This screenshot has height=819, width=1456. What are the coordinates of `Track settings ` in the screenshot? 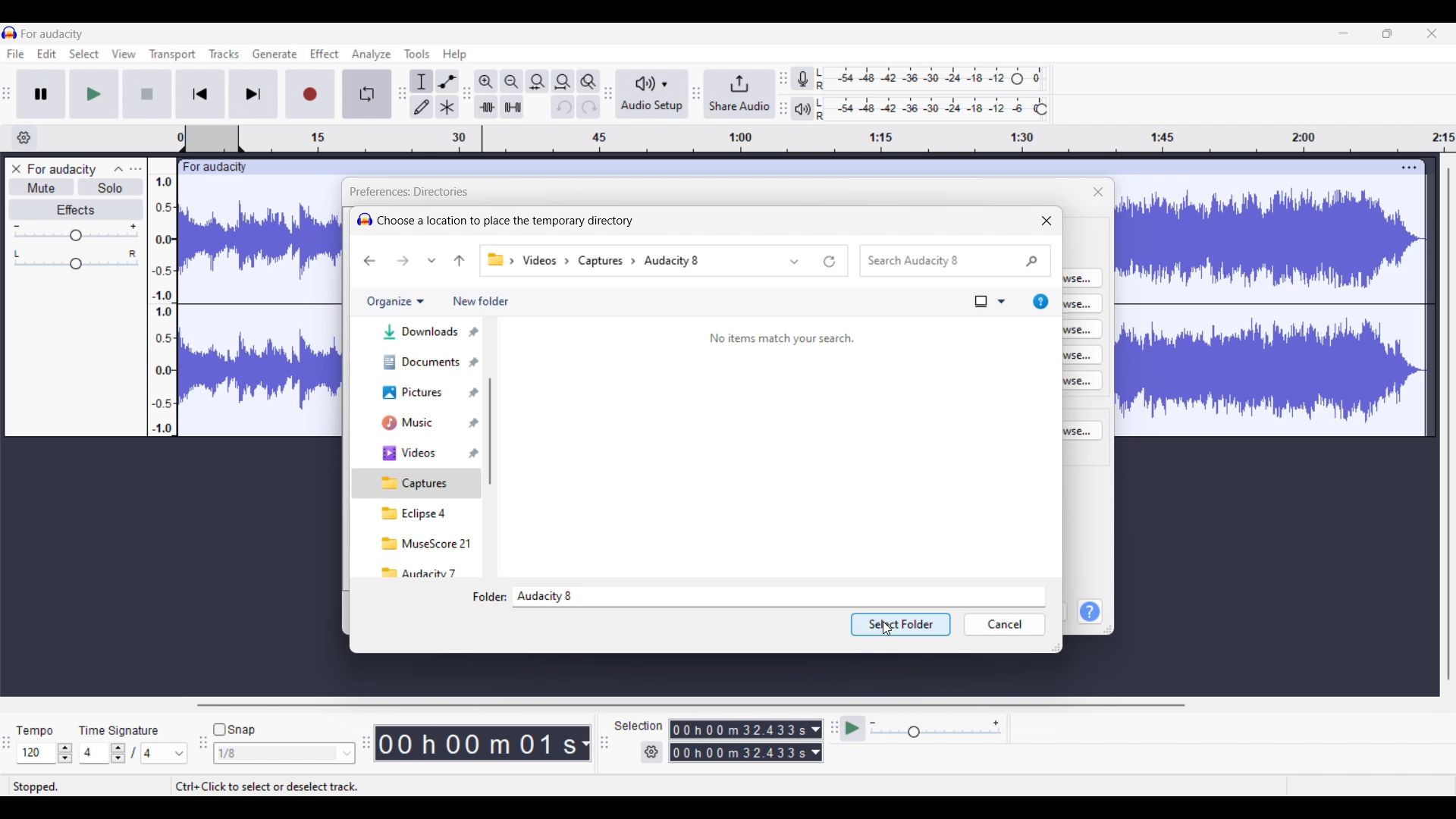 It's located at (1410, 168).